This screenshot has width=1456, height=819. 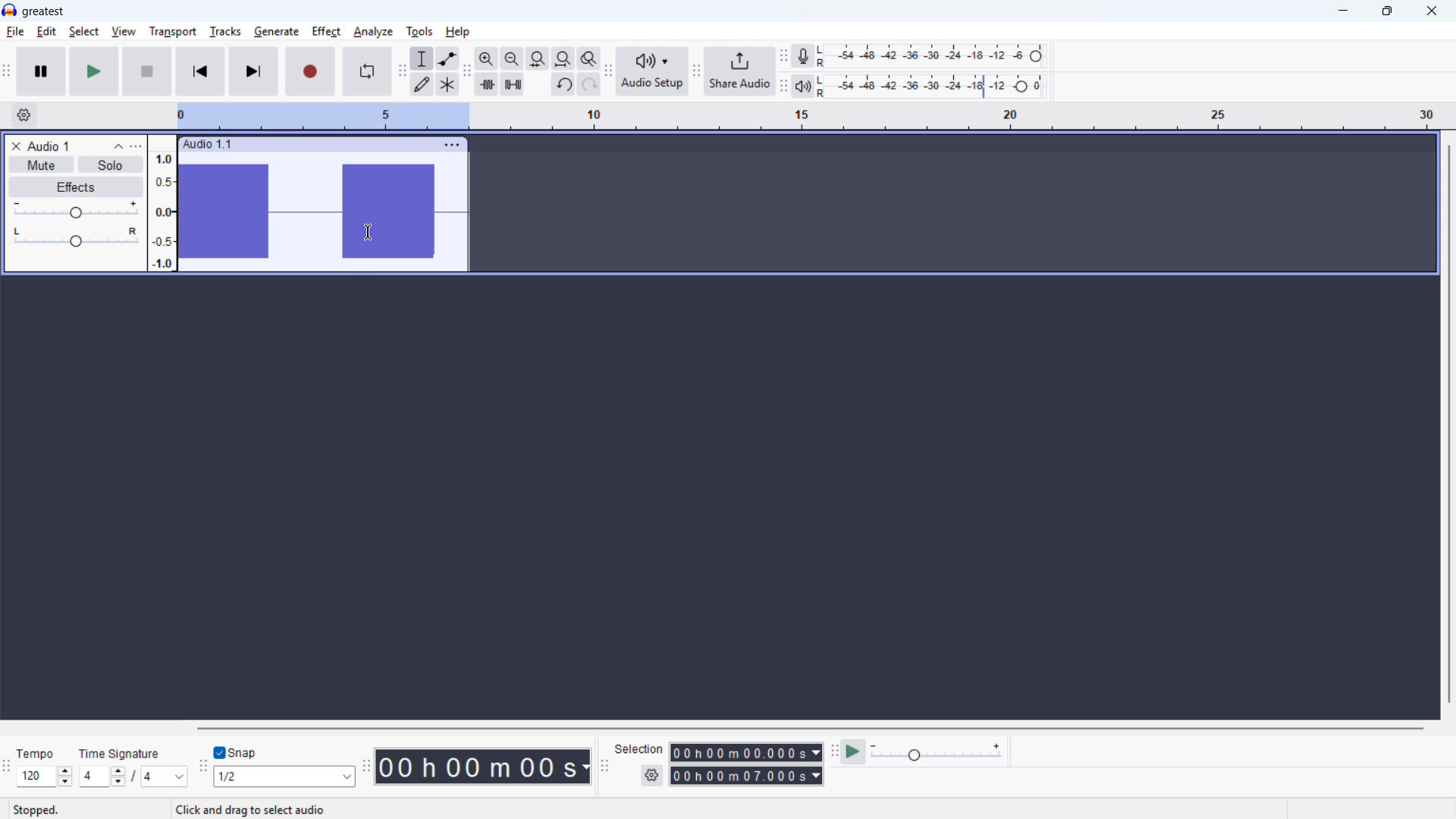 What do you see at coordinates (935, 86) in the screenshot?
I see `Playback level ` at bounding box center [935, 86].